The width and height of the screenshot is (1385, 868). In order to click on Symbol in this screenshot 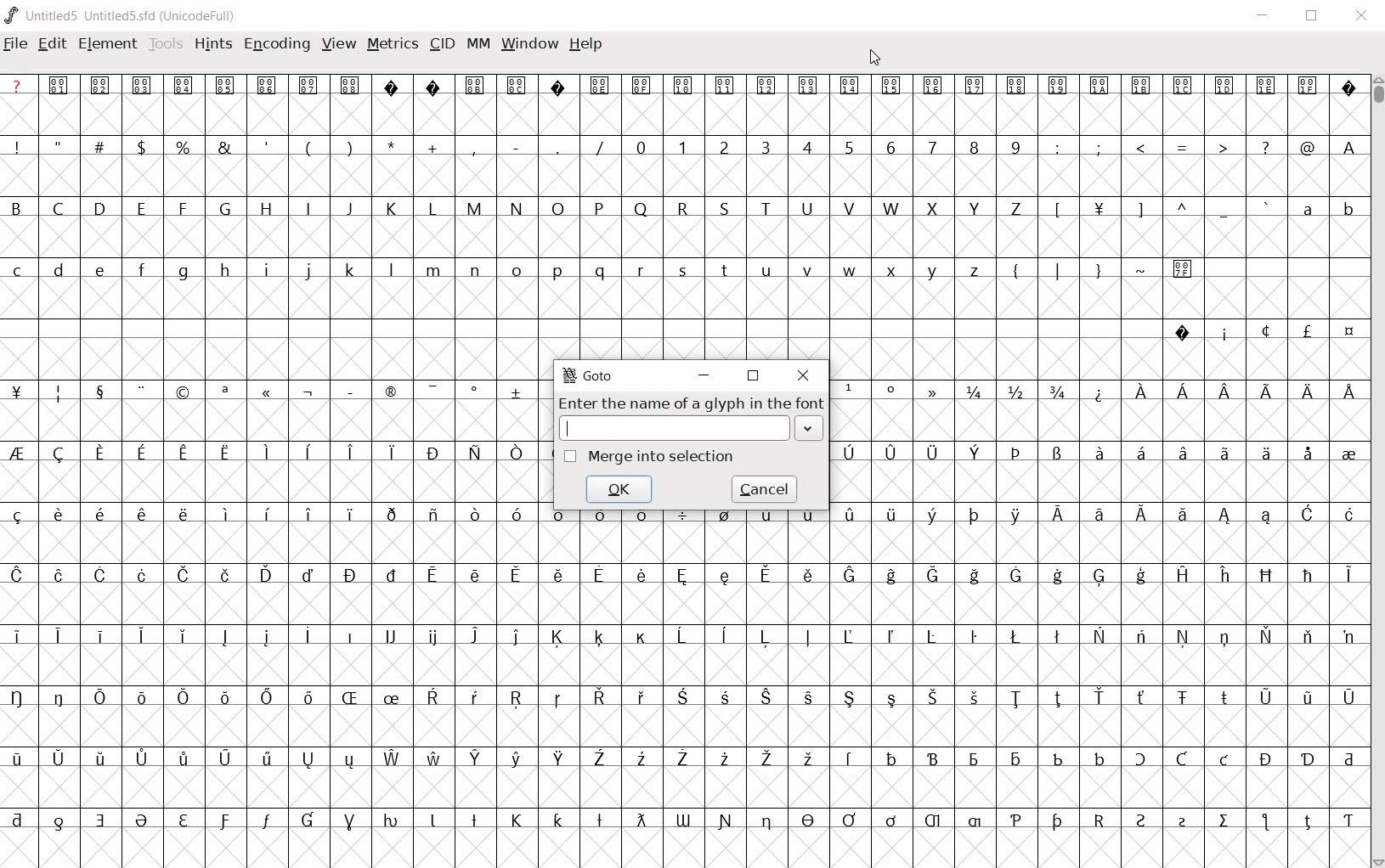, I will do `click(723, 699)`.